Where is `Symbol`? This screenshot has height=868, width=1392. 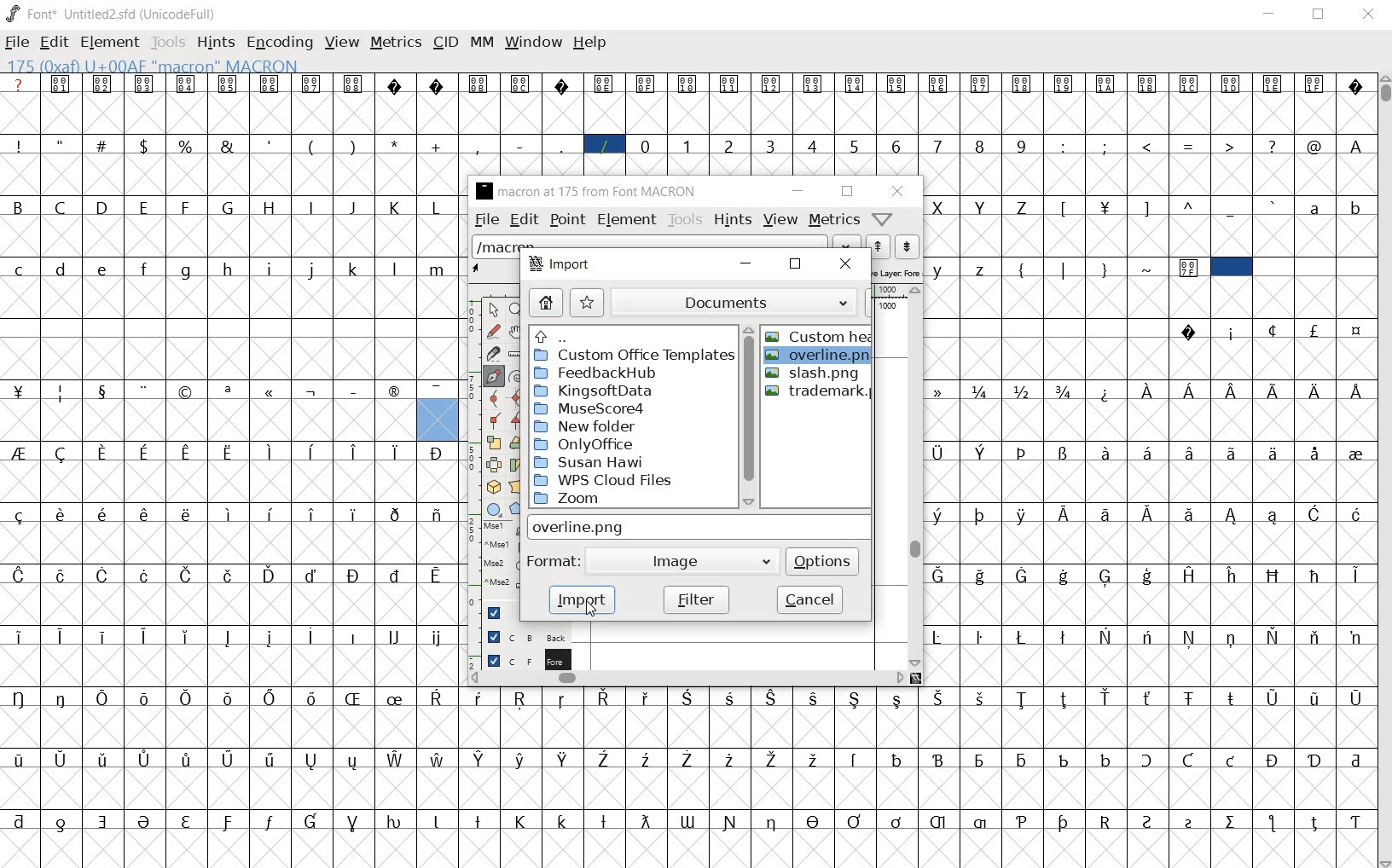
Symbol is located at coordinates (106, 697).